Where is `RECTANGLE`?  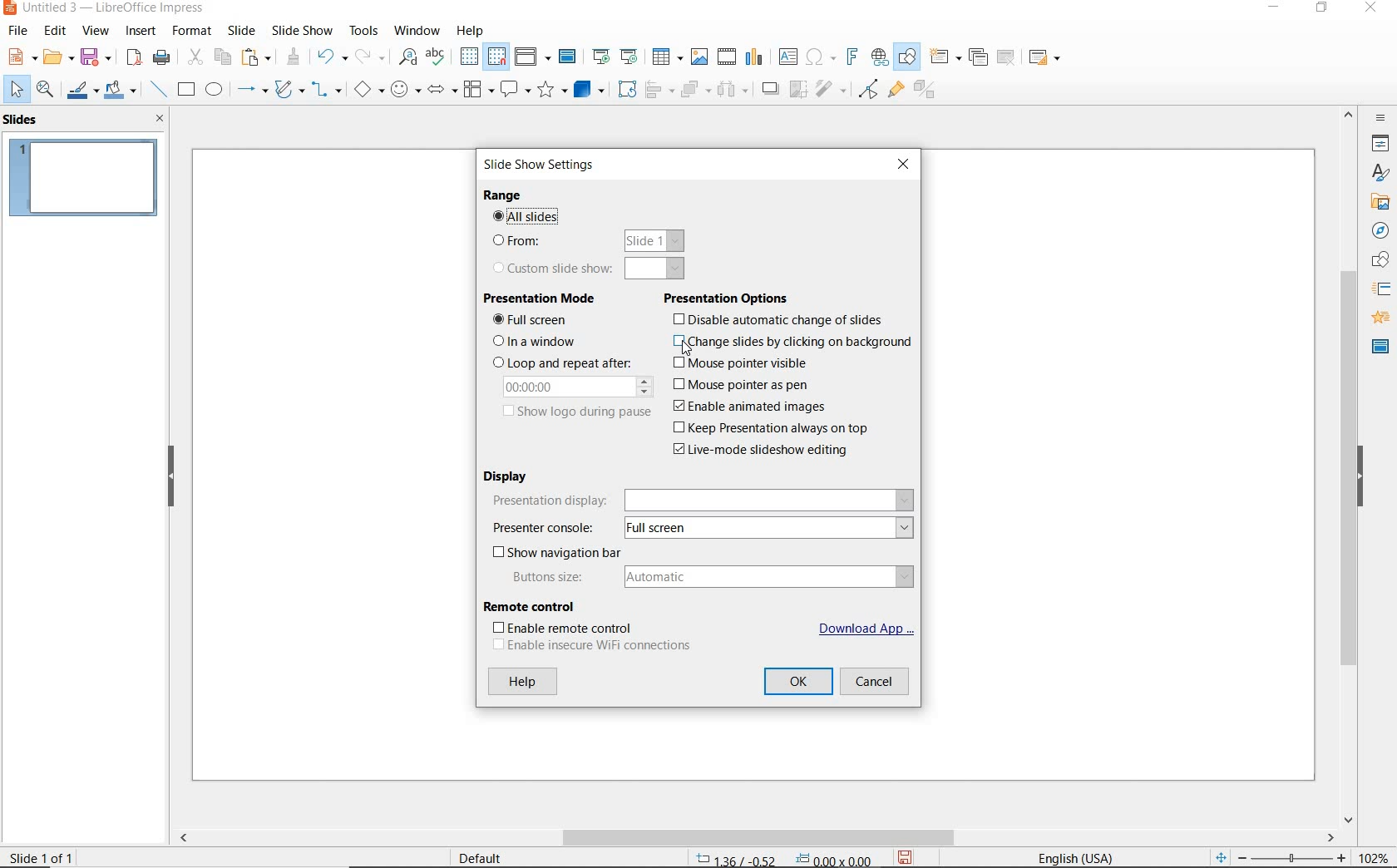 RECTANGLE is located at coordinates (188, 89).